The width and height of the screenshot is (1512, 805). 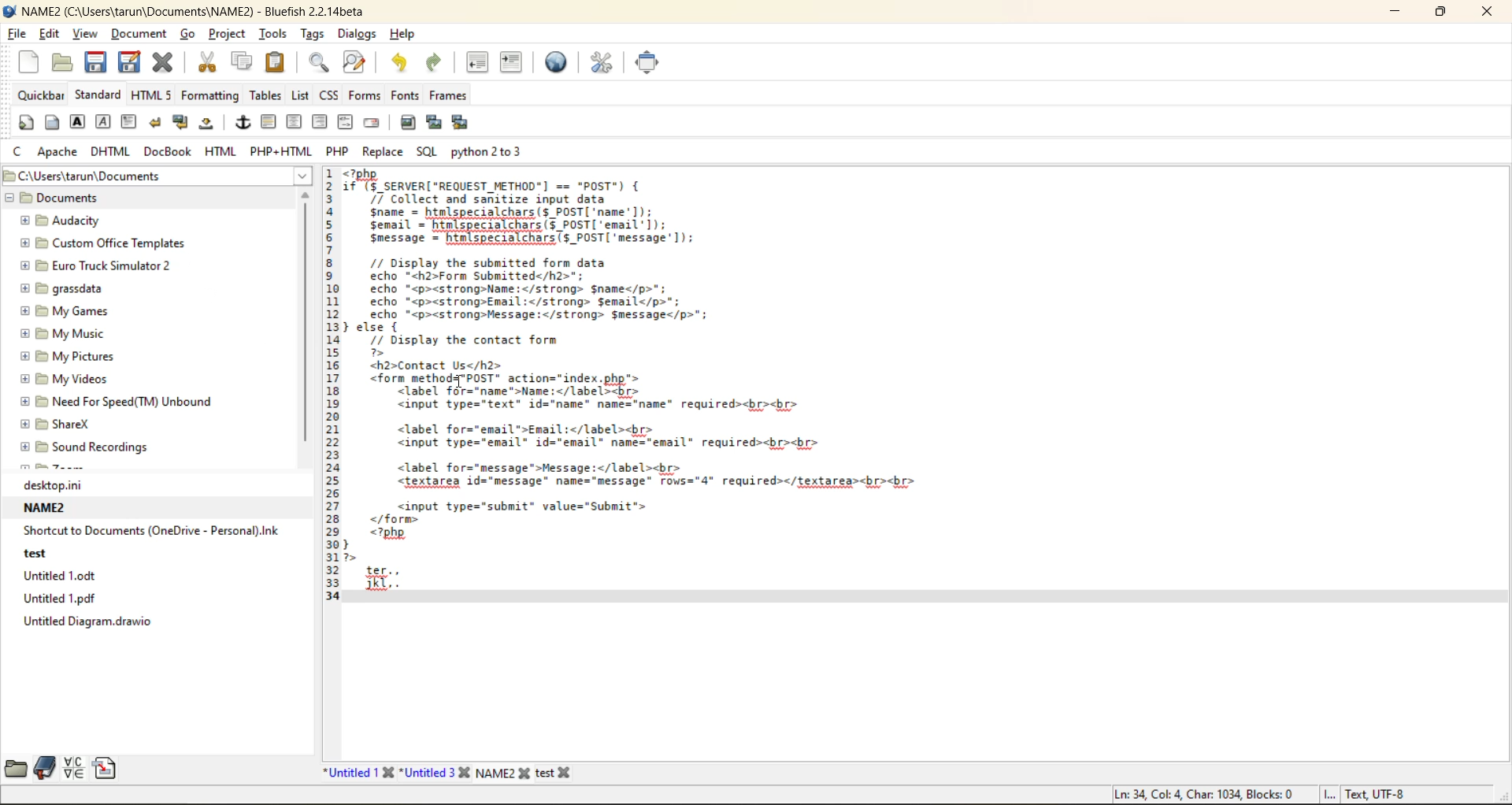 I want to click on formatting, so click(x=211, y=95).